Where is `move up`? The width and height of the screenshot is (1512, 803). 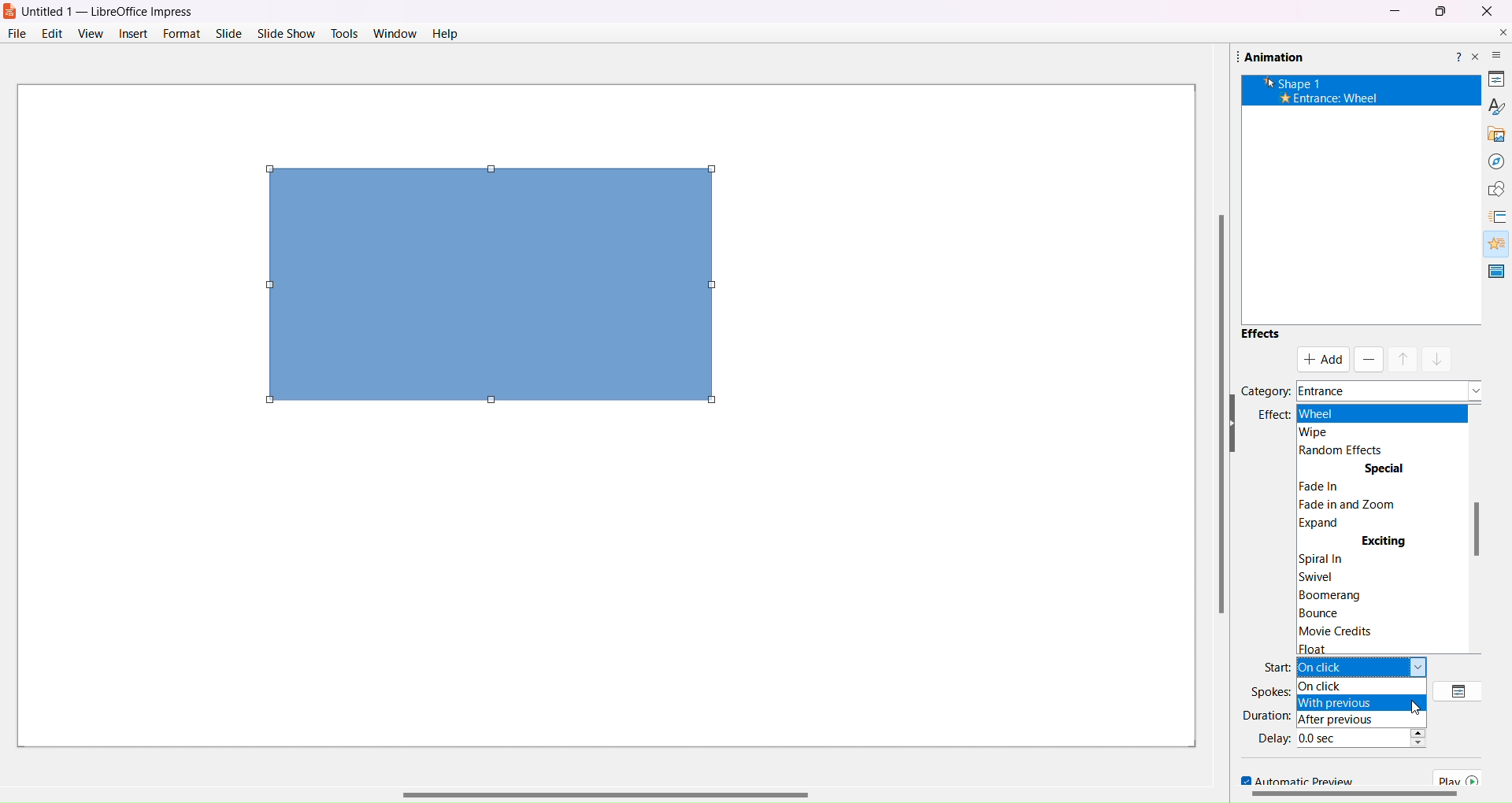 move up is located at coordinates (1403, 359).